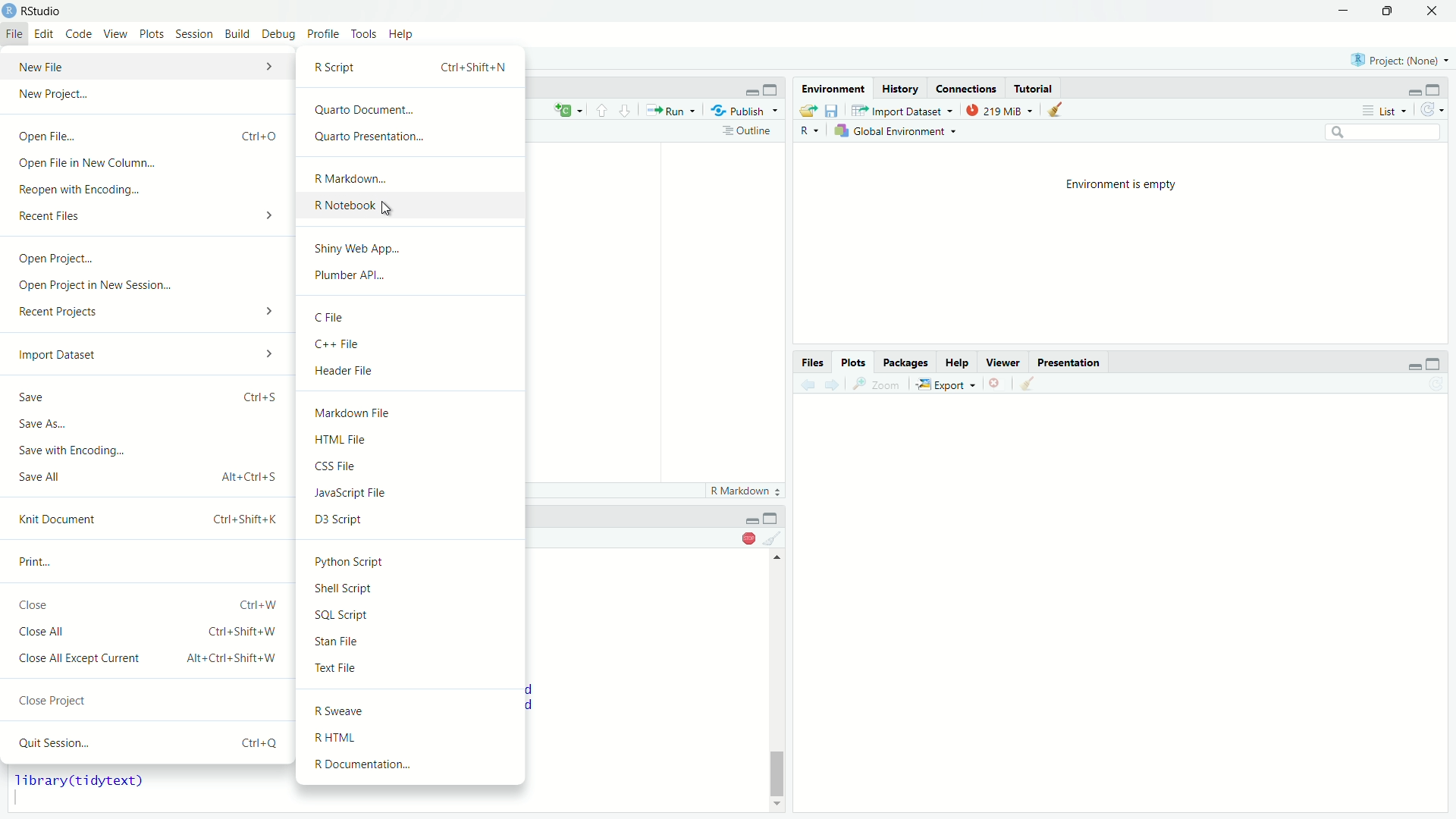 This screenshot has height=819, width=1456. What do you see at coordinates (1415, 87) in the screenshot?
I see `Minimize` at bounding box center [1415, 87].